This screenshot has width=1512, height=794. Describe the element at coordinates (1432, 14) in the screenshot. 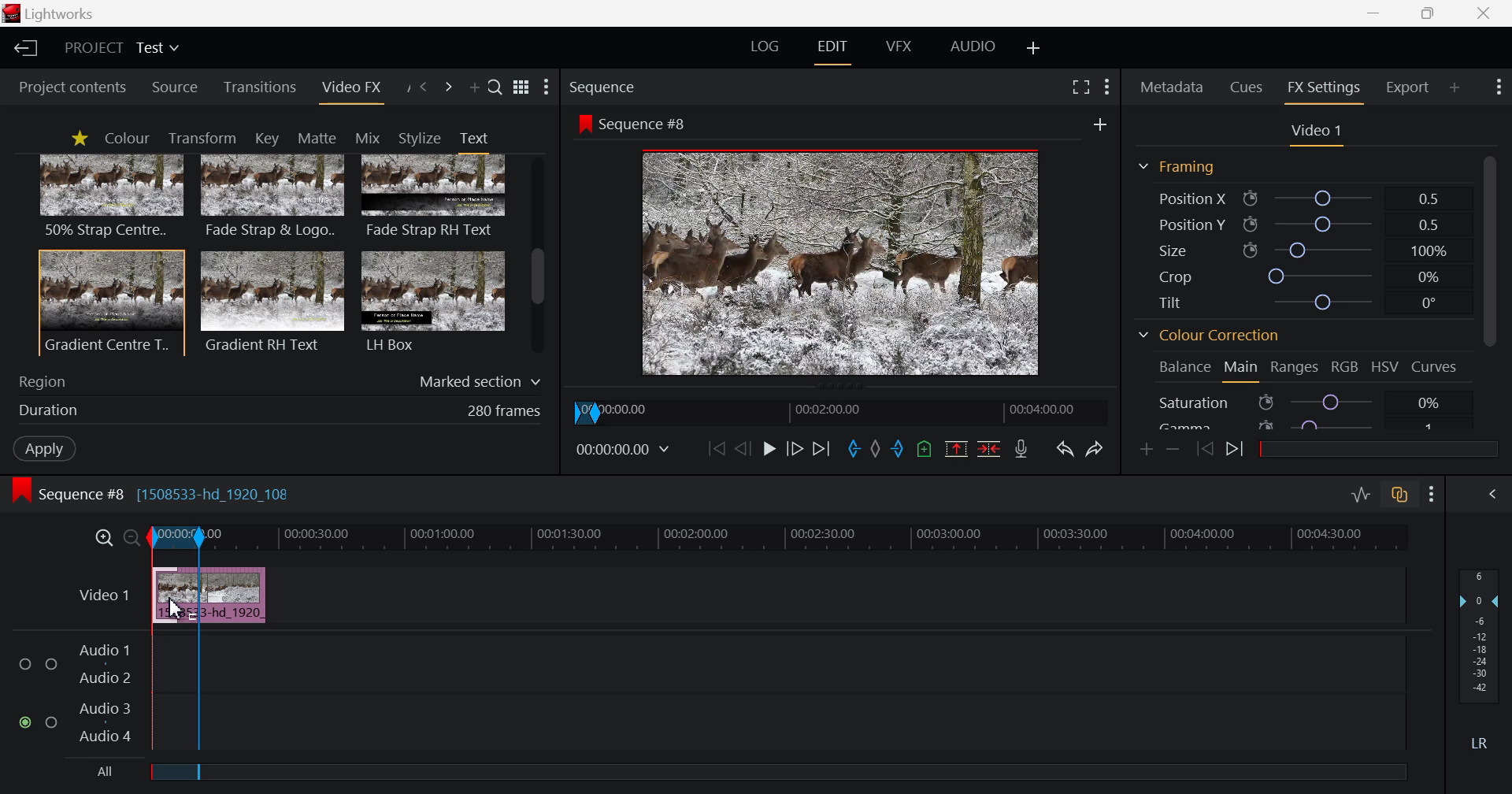

I see `Minimize` at that location.